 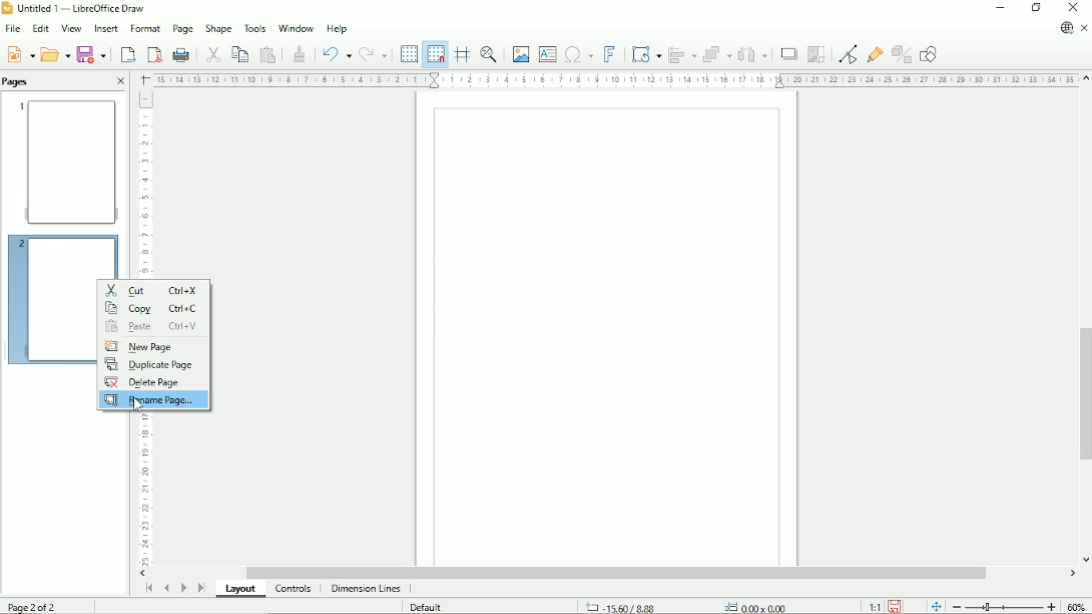 I want to click on New Page, so click(x=137, y=346).